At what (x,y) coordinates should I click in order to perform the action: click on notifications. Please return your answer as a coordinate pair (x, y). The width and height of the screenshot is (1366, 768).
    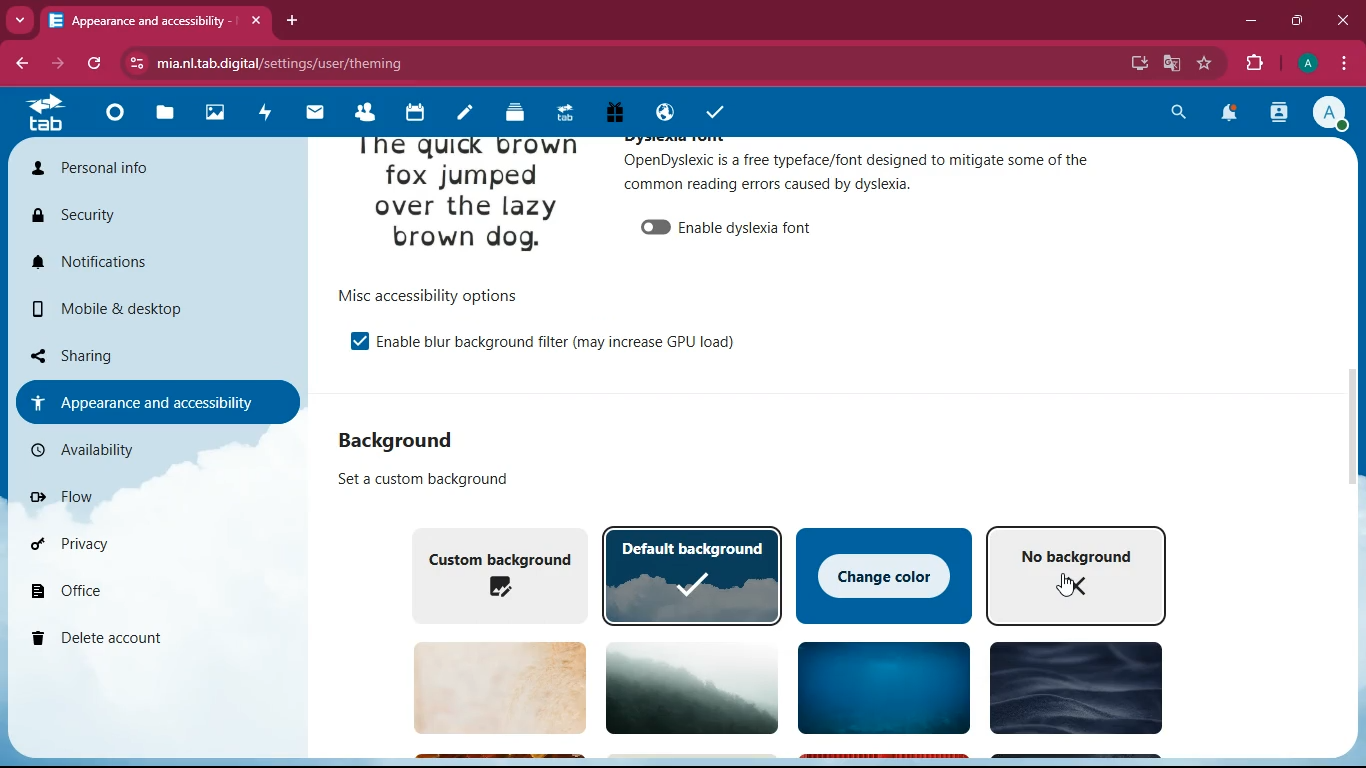
    Looking at the image, I should click on (157, 264).